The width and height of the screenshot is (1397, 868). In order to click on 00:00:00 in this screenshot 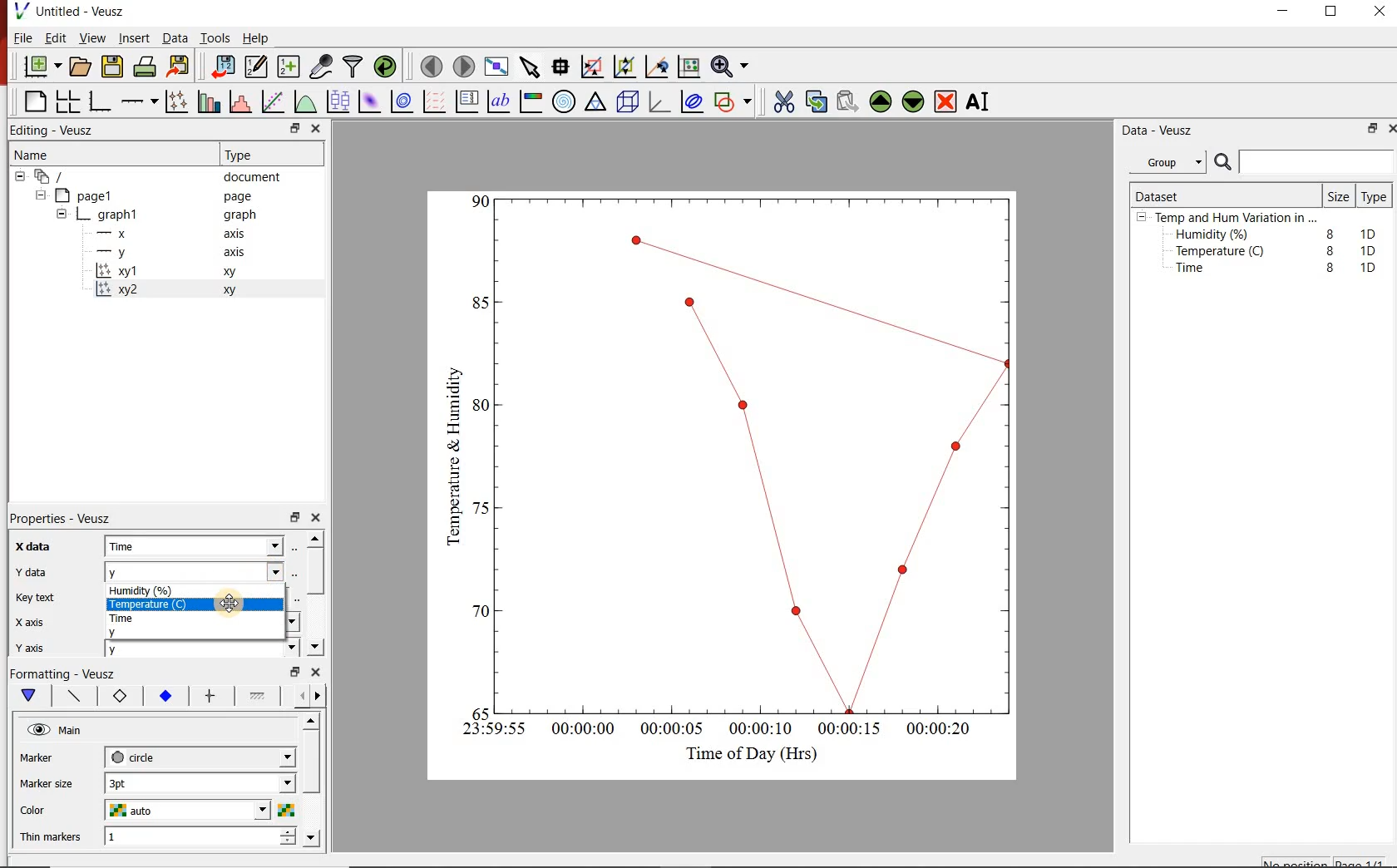, I will do `click(580, 731)`.